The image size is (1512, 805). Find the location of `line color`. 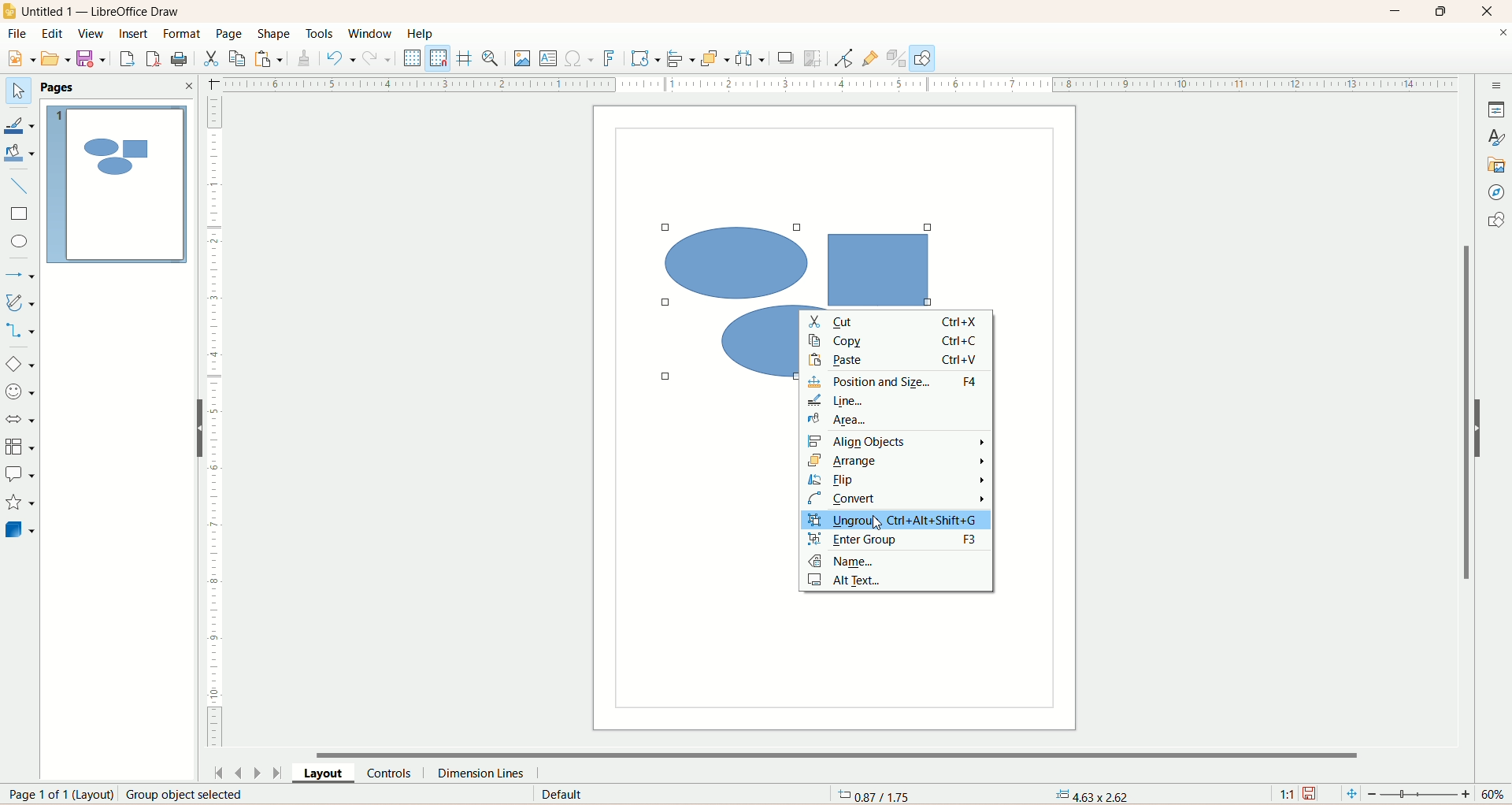

line color is located at coordinates (20, 124).